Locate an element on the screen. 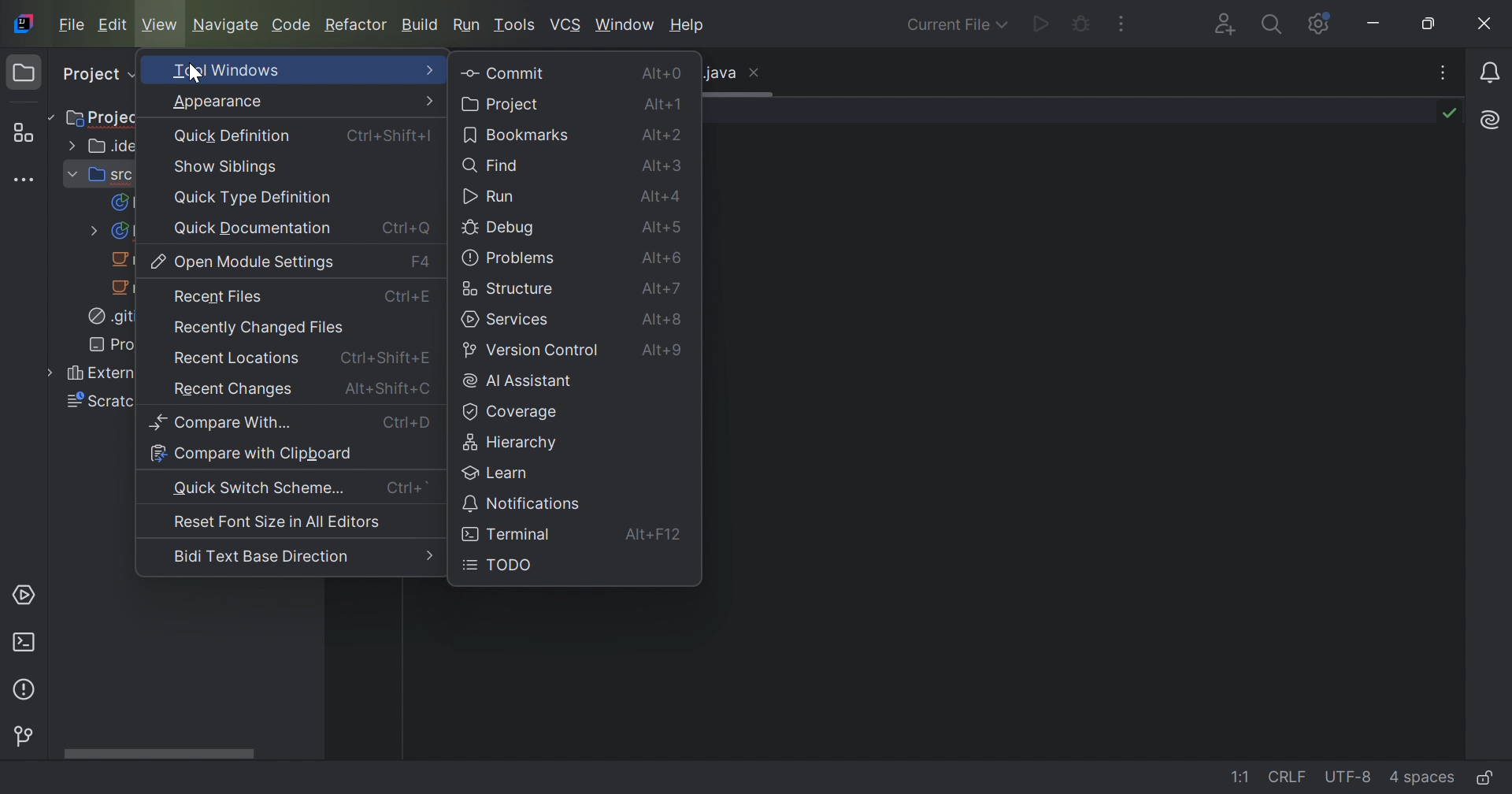 This screenshot has height=794, width=1512. Make file read-only is located at coordinates (1492, 777).